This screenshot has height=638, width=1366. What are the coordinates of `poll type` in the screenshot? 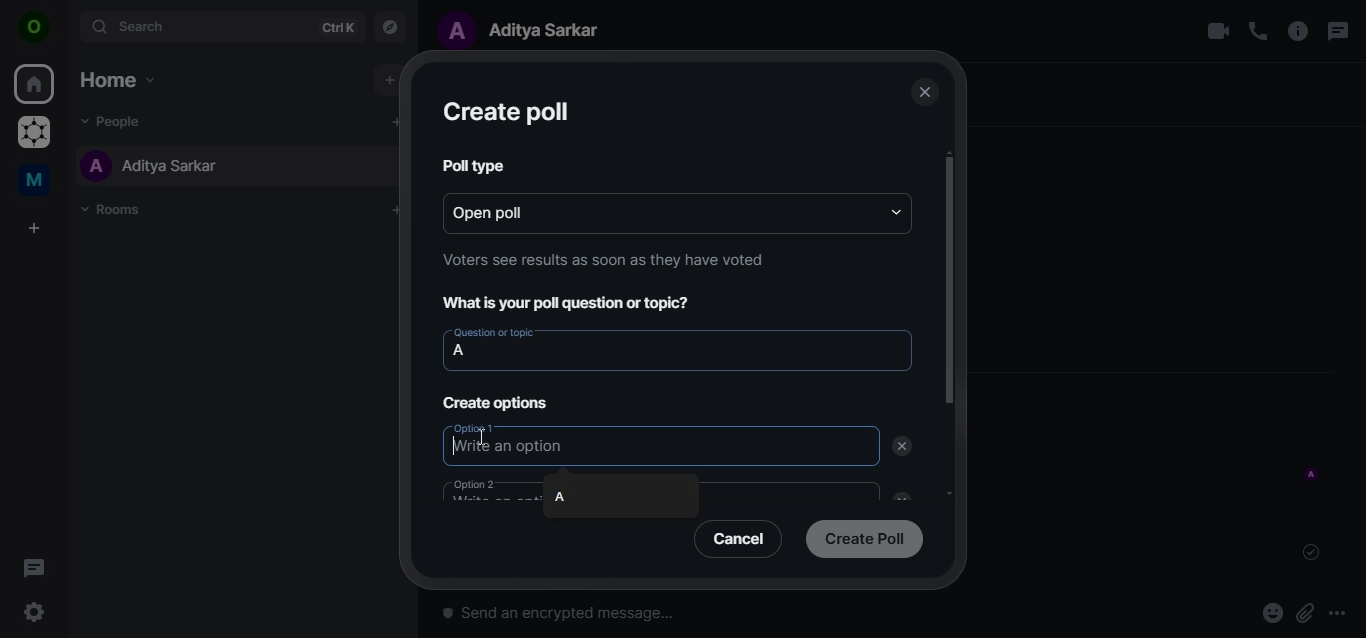 It's located at (470, 164).